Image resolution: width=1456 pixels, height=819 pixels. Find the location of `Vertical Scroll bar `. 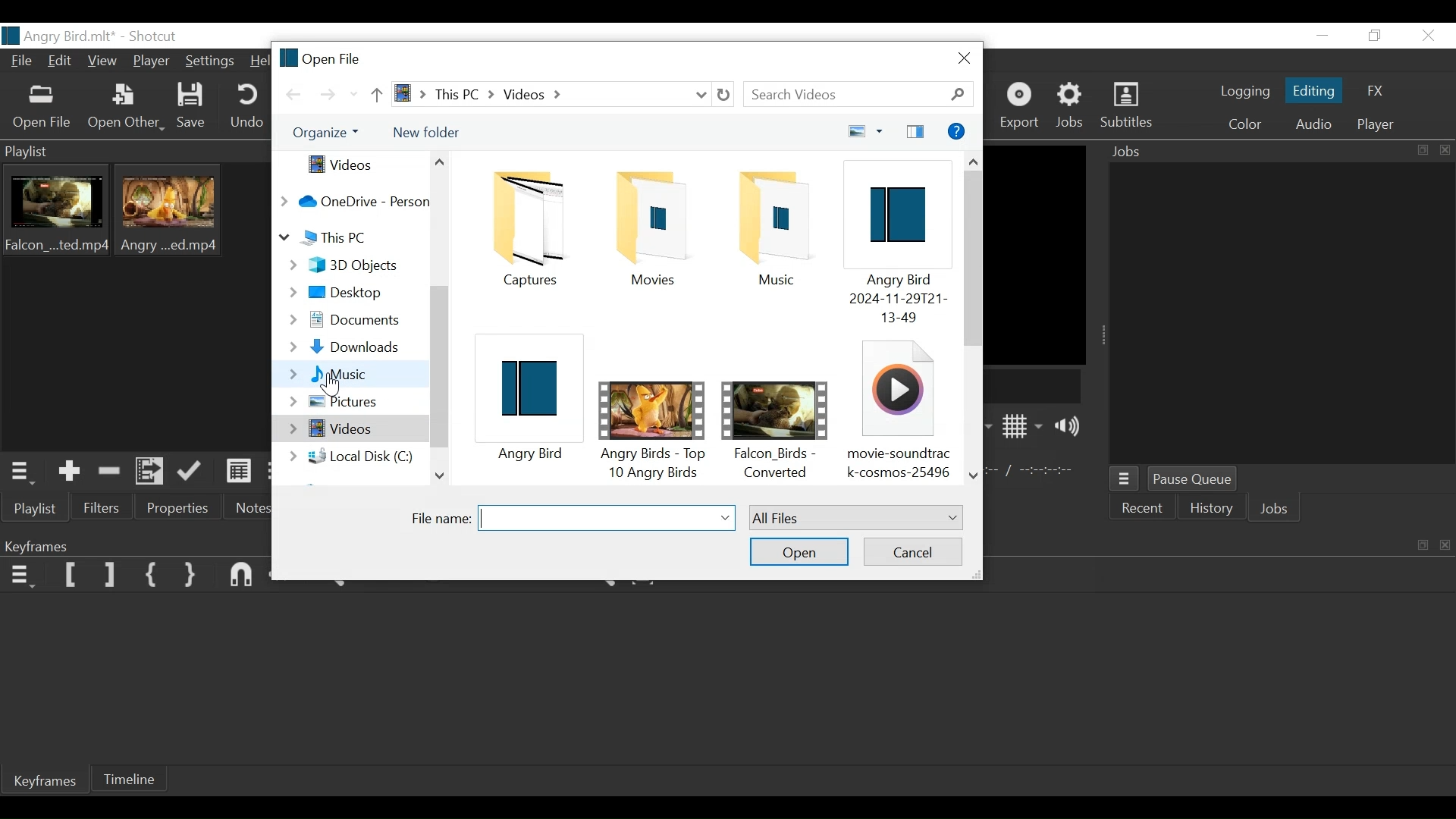

Vertical Scroll bar  is located at coordinates (438, 366).